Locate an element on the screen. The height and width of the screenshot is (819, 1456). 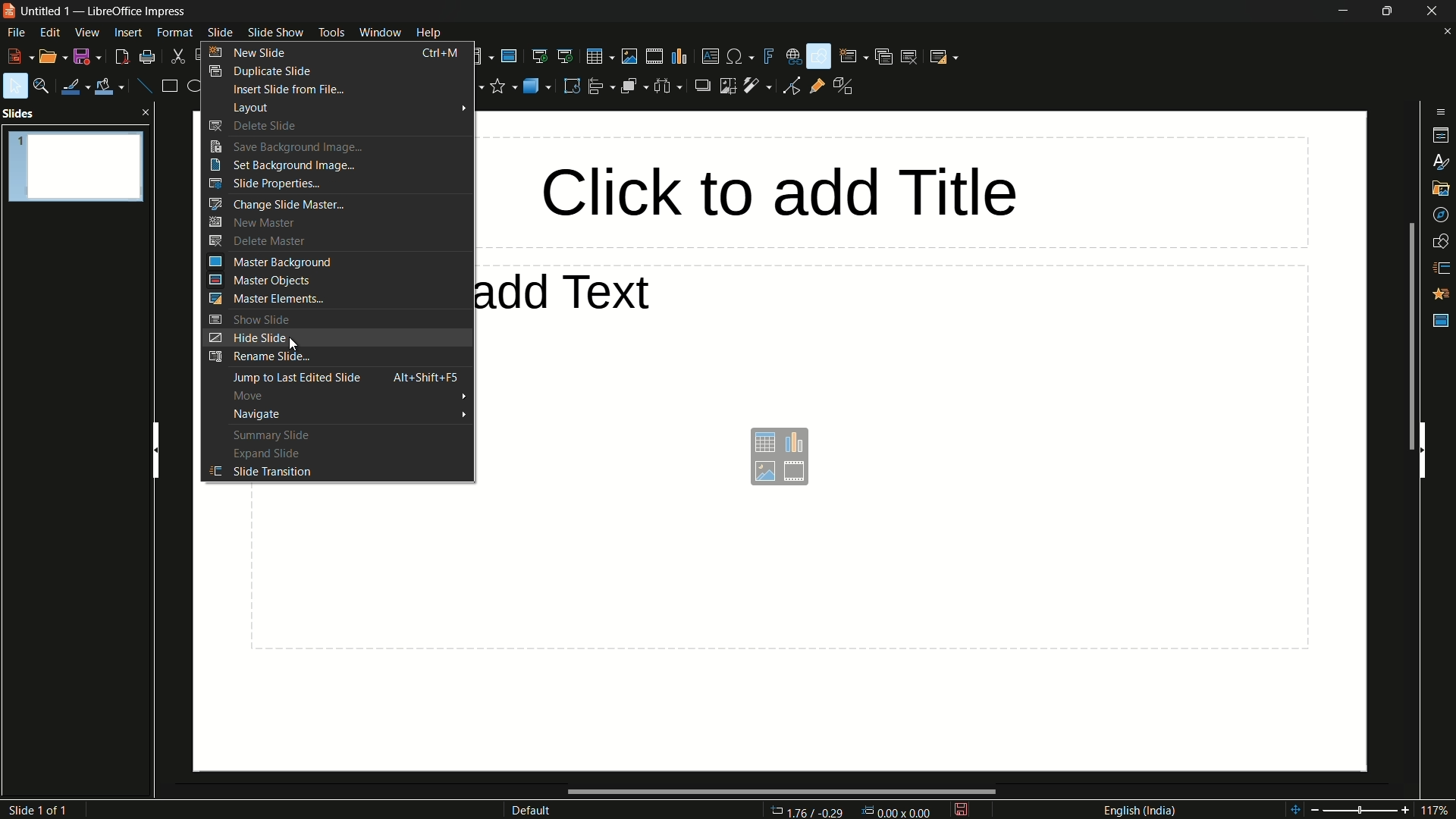
display views is located at coordinates (486, 56).